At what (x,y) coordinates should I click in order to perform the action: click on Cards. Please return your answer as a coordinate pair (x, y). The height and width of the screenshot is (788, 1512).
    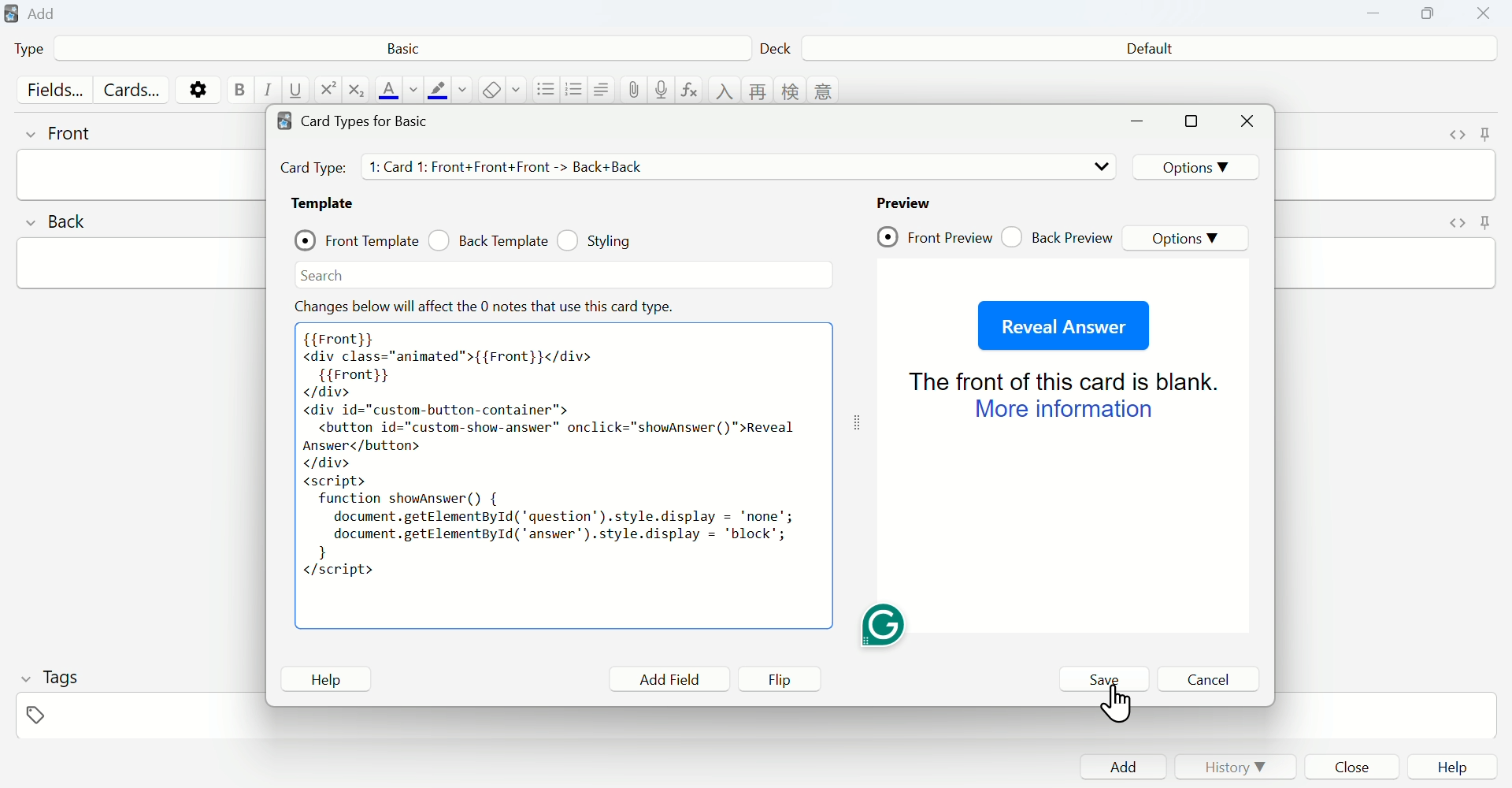
    Looking at the image, I should click on (132, 90).